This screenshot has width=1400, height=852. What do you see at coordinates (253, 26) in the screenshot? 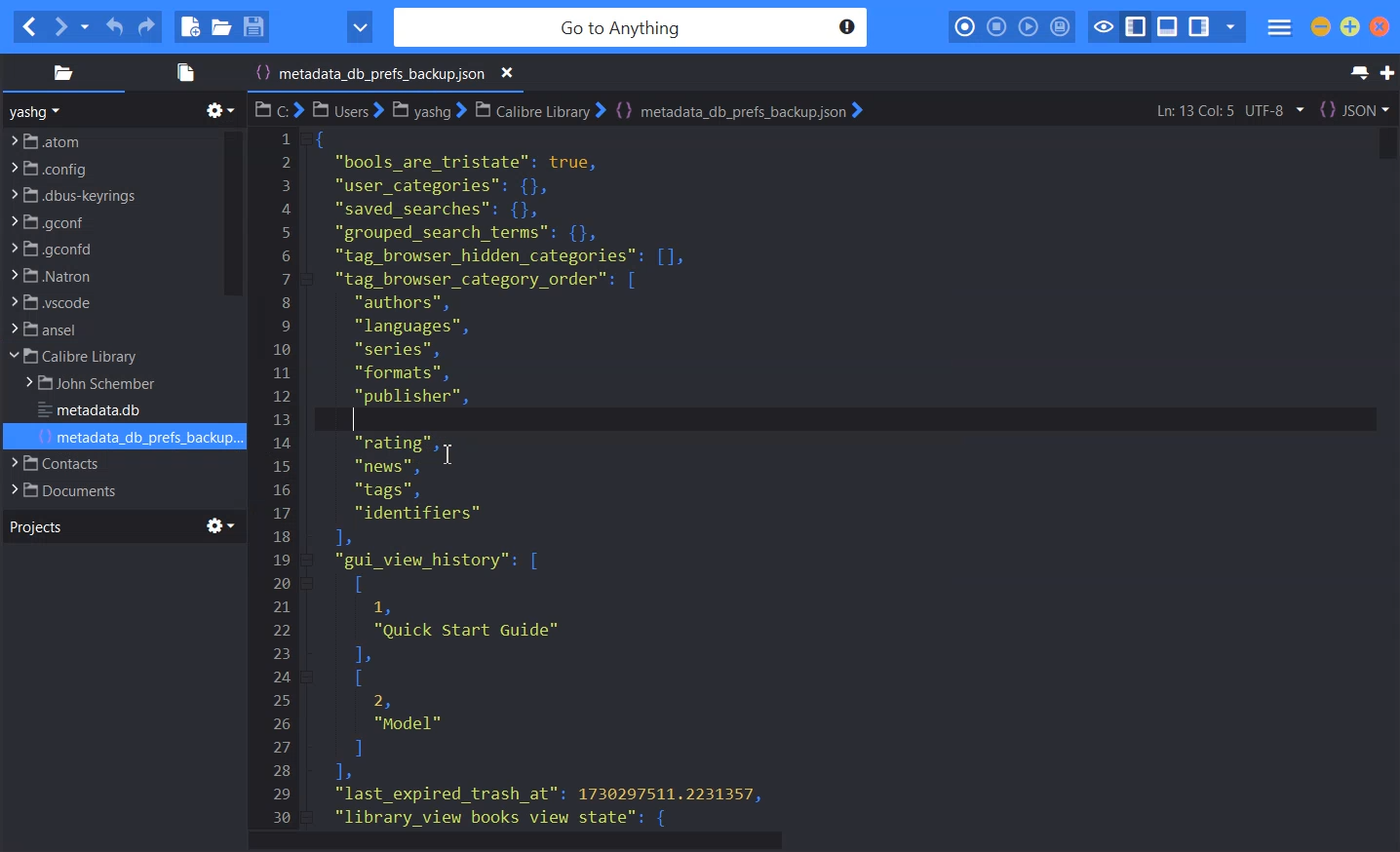
I see `Save file` at bounding box center [253, 26].